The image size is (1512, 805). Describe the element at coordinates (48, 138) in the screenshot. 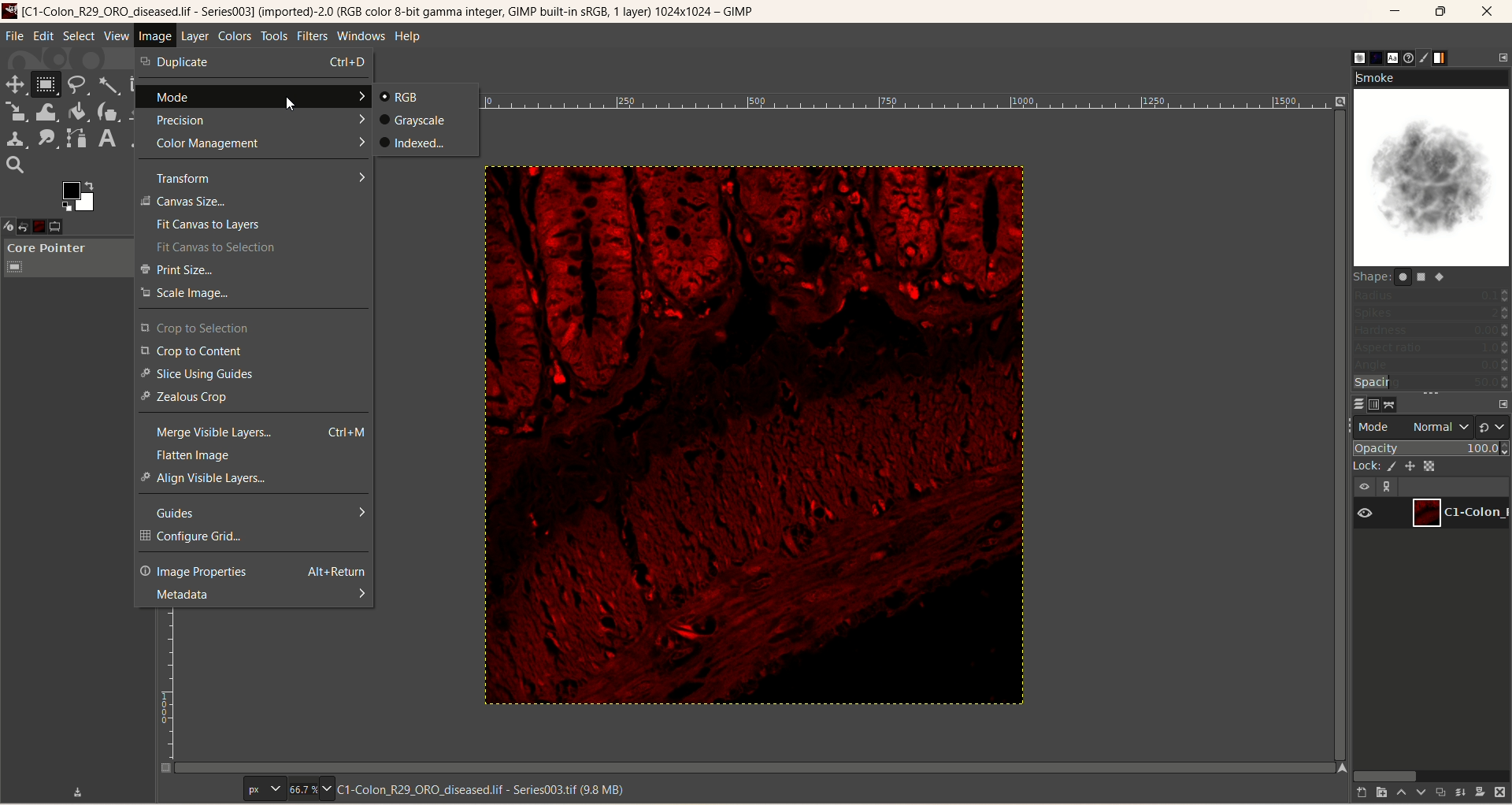

I see `smudge tool` at that location.